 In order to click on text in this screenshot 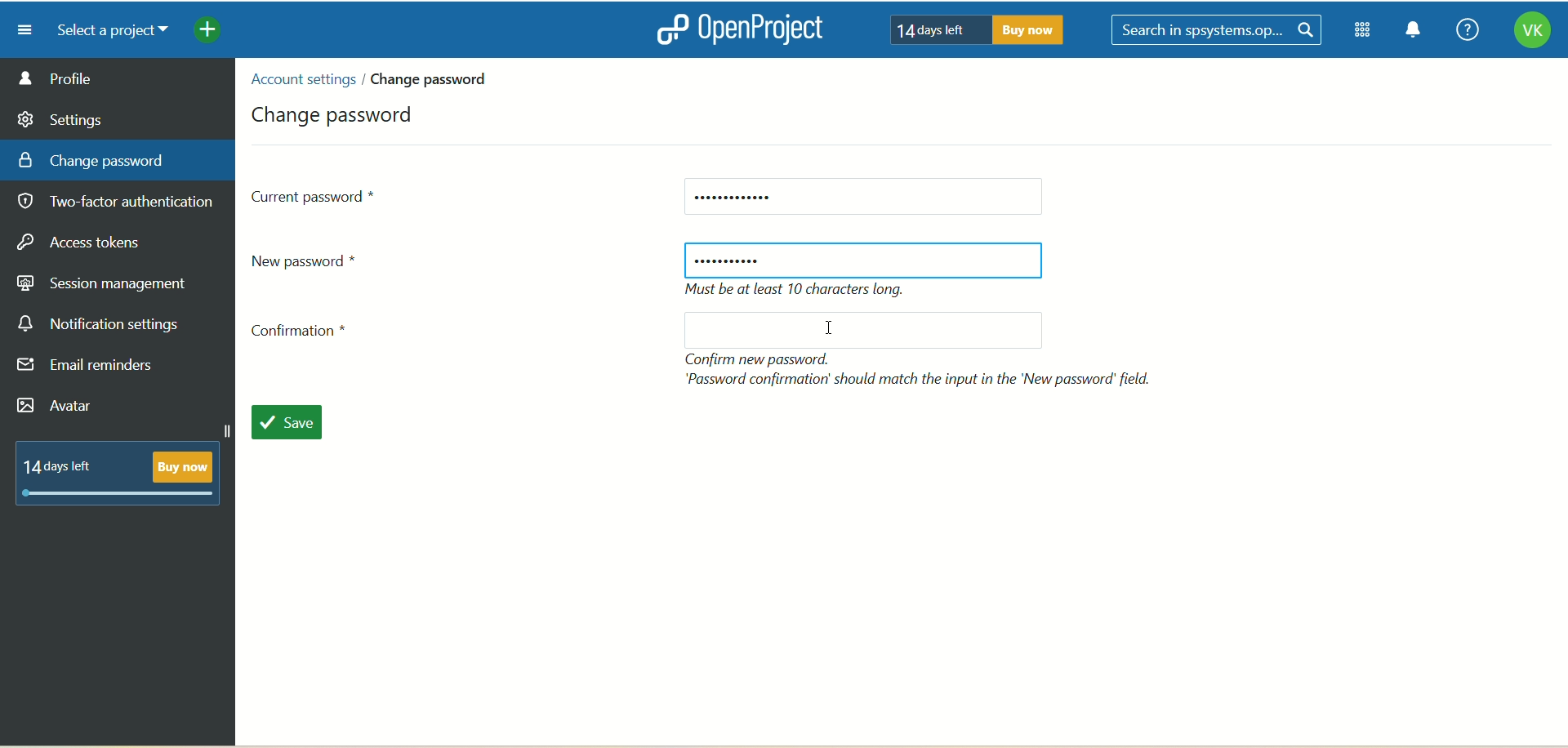, I will do `click(922, 369)`.